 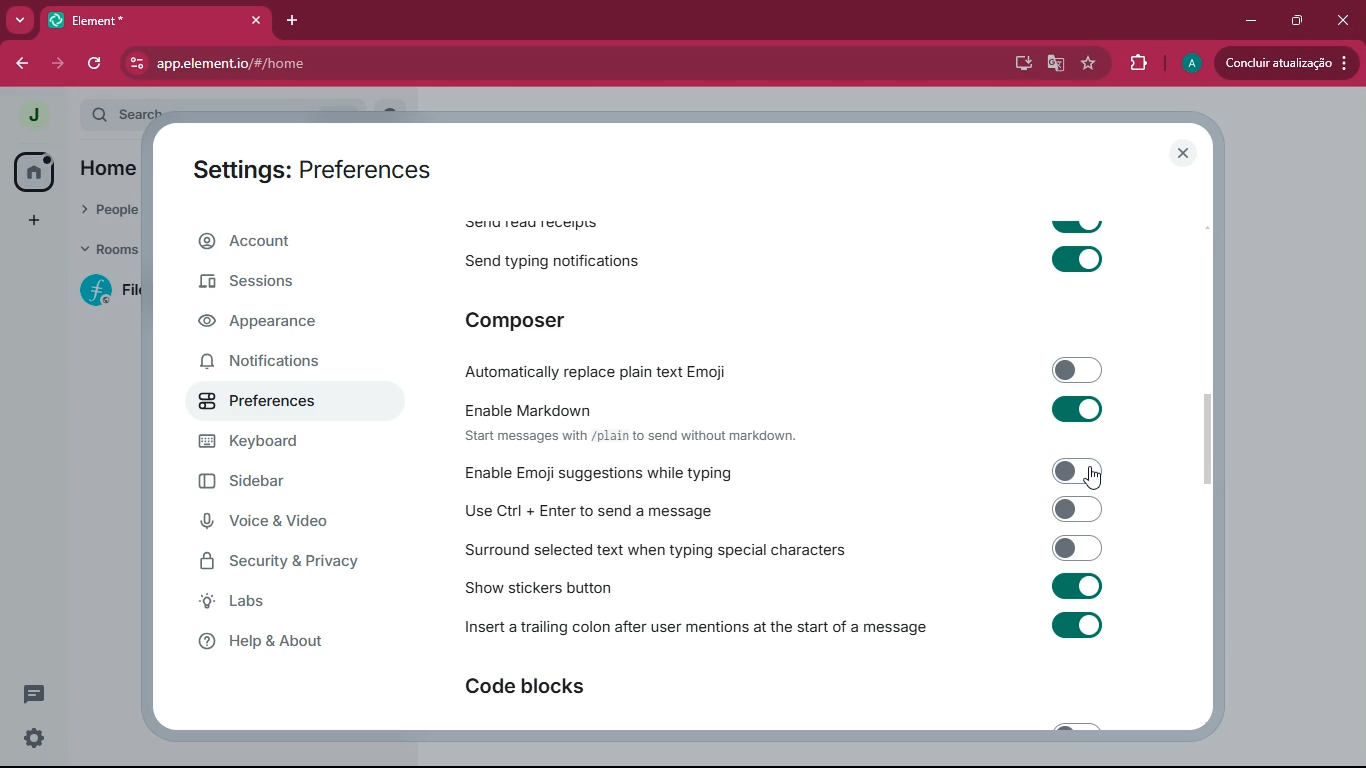 What do you see at coordinates (805, 420) in the screenshot?
I see `enable markdown` at bounding box center [805, 420].